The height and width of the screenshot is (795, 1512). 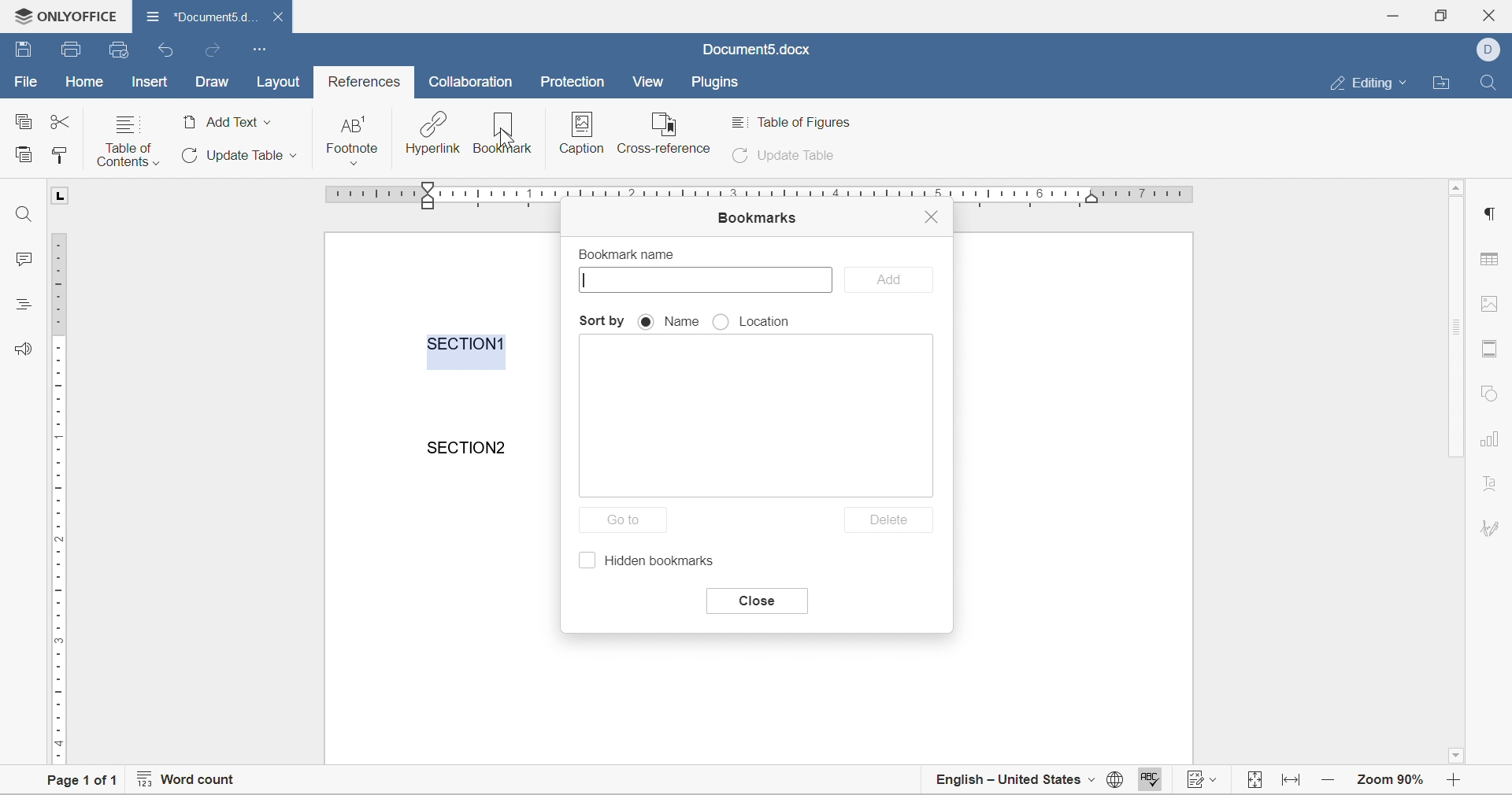 What do you see at coordinates (432, 133) in the screenshot?
I see `hyperlink` at bounding box center [432, 133].